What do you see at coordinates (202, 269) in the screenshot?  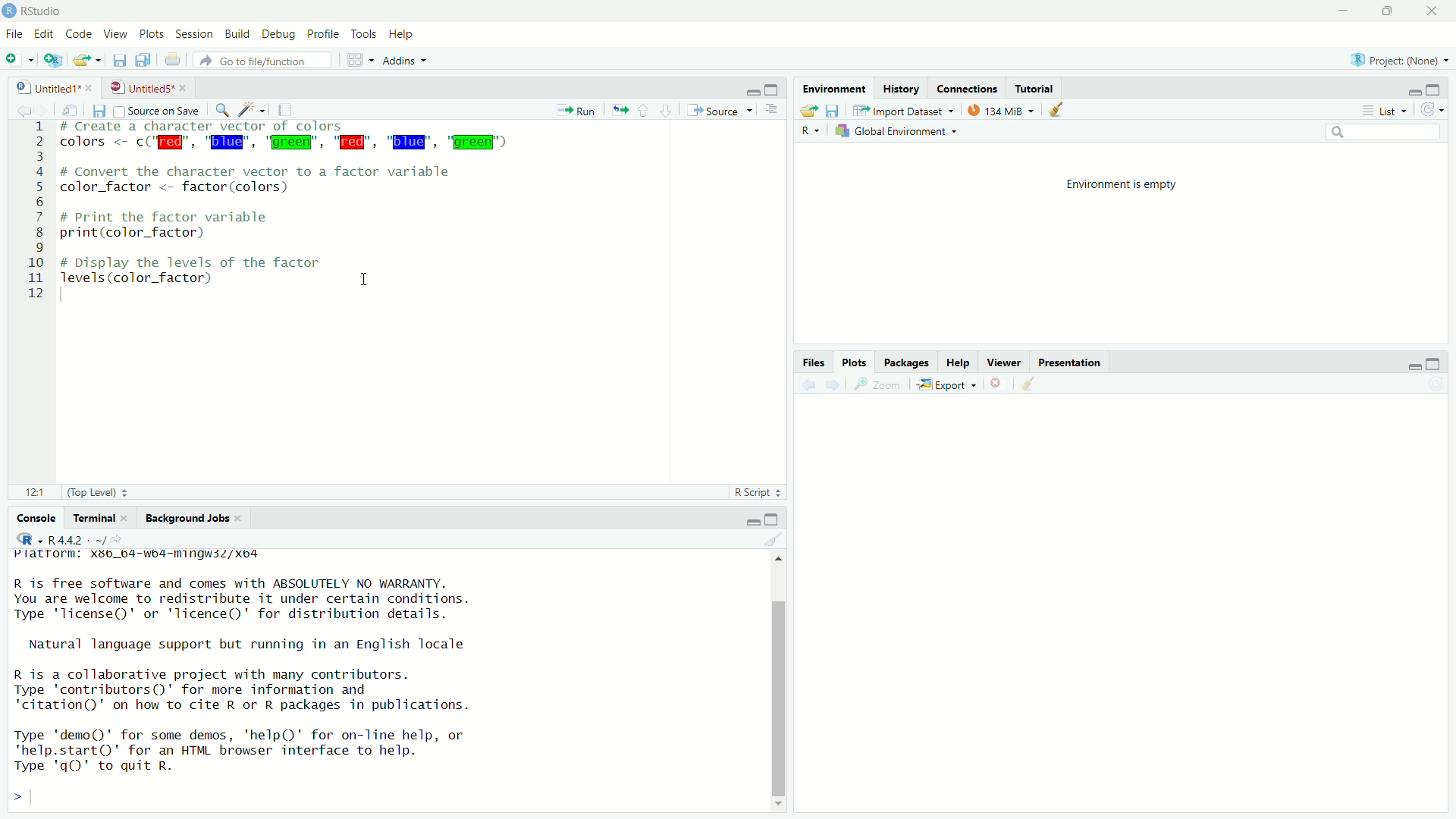 I see `# Display the levels of the factor
levels (color Factor)` at bounding box center [202, 269].